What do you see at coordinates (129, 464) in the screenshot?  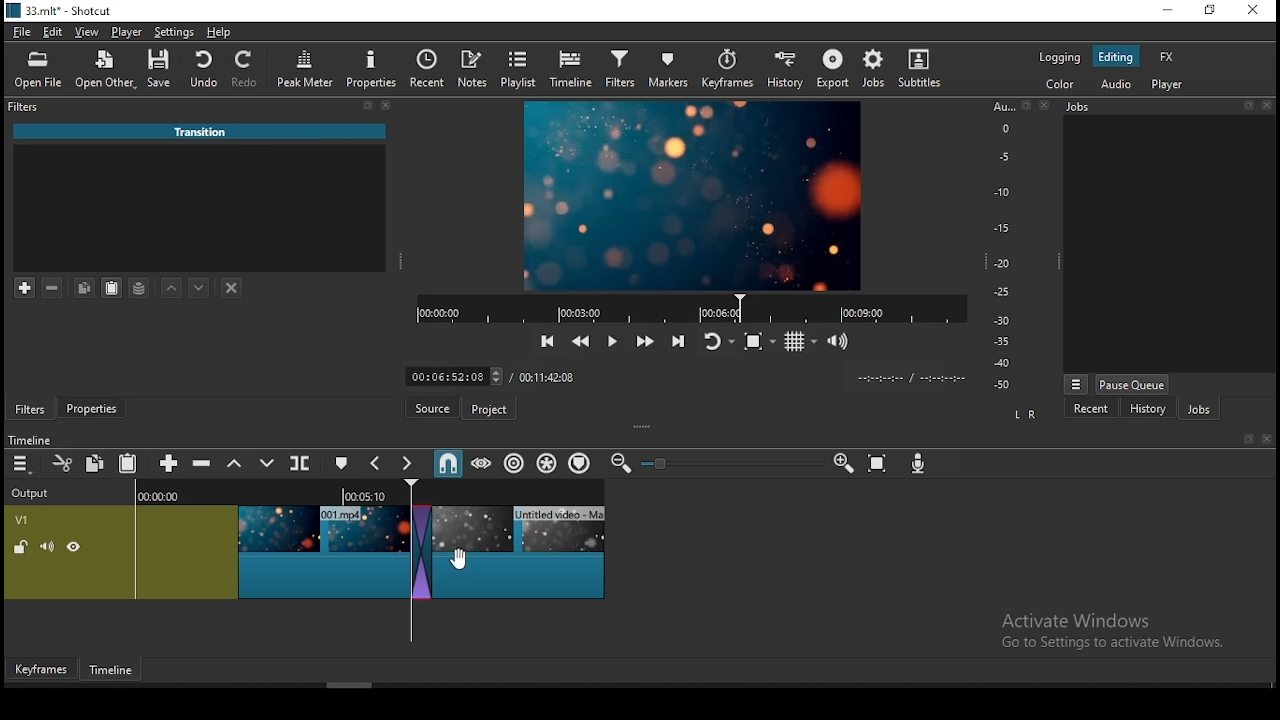 I see `paste` at bounding box center [129, 464].